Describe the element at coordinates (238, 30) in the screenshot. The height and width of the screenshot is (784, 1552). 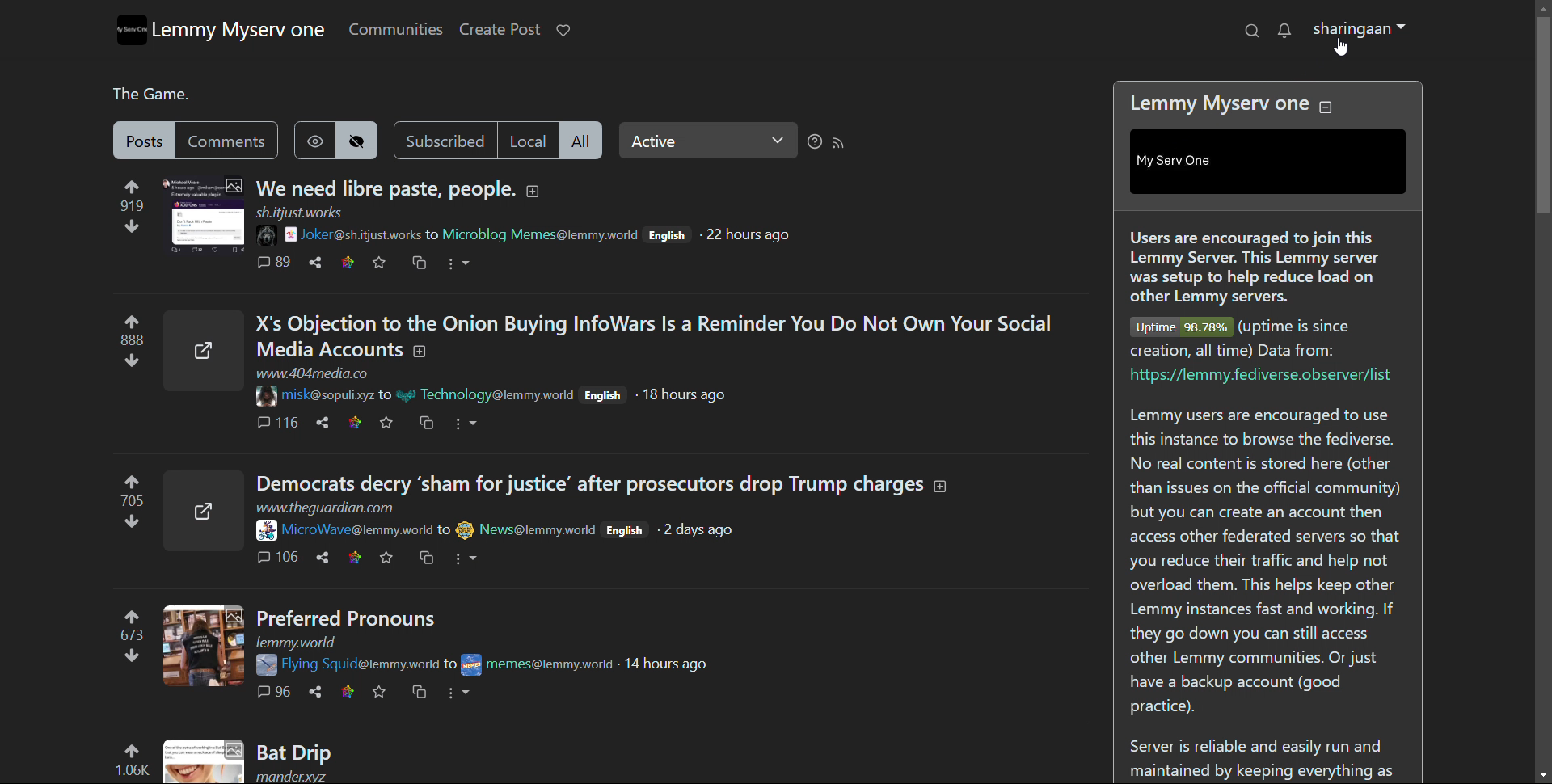
I see `lemmy myserv one` at that location.